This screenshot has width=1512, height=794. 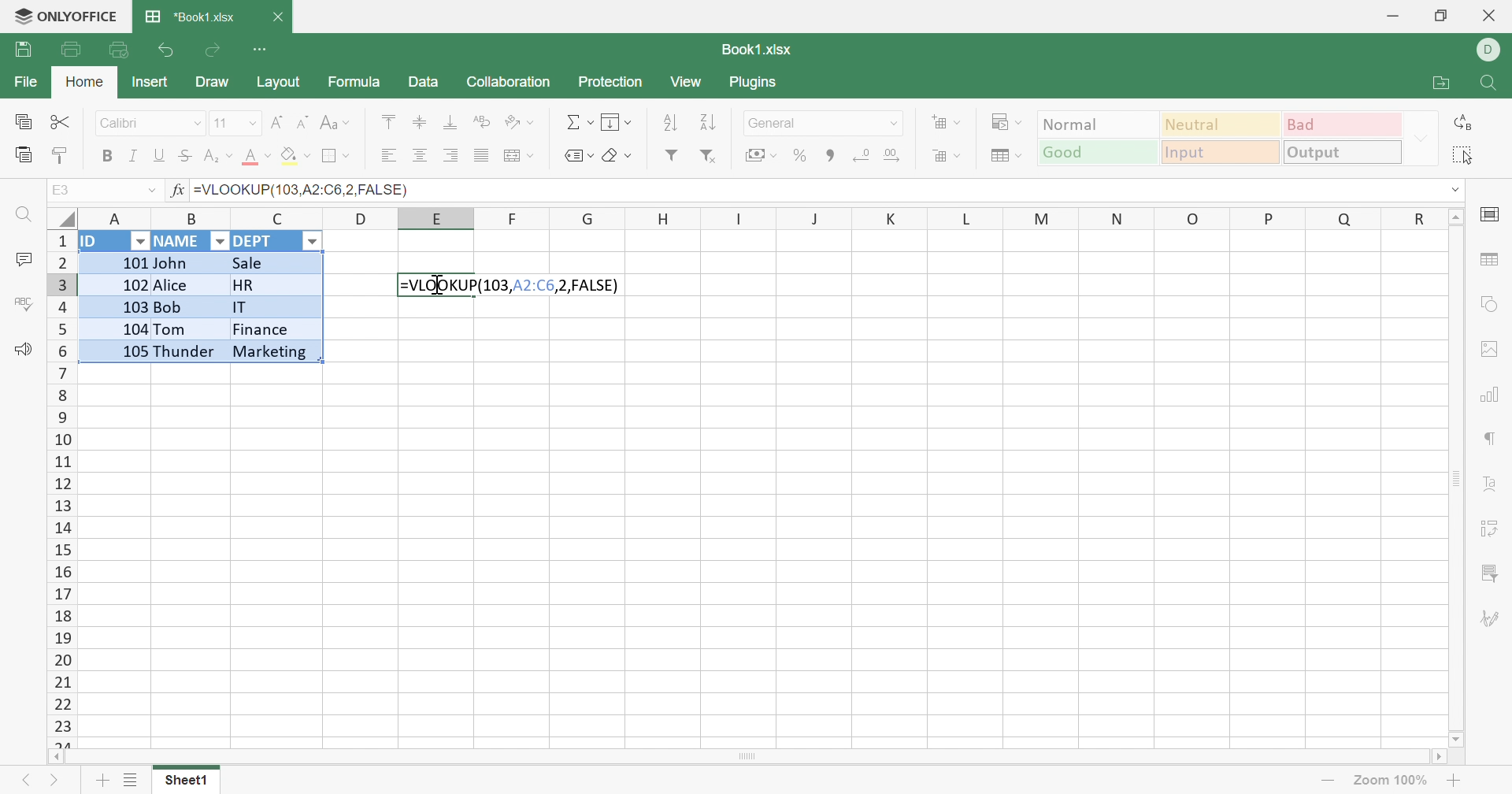 I want to click on Font color, so click(x=258, y=157).